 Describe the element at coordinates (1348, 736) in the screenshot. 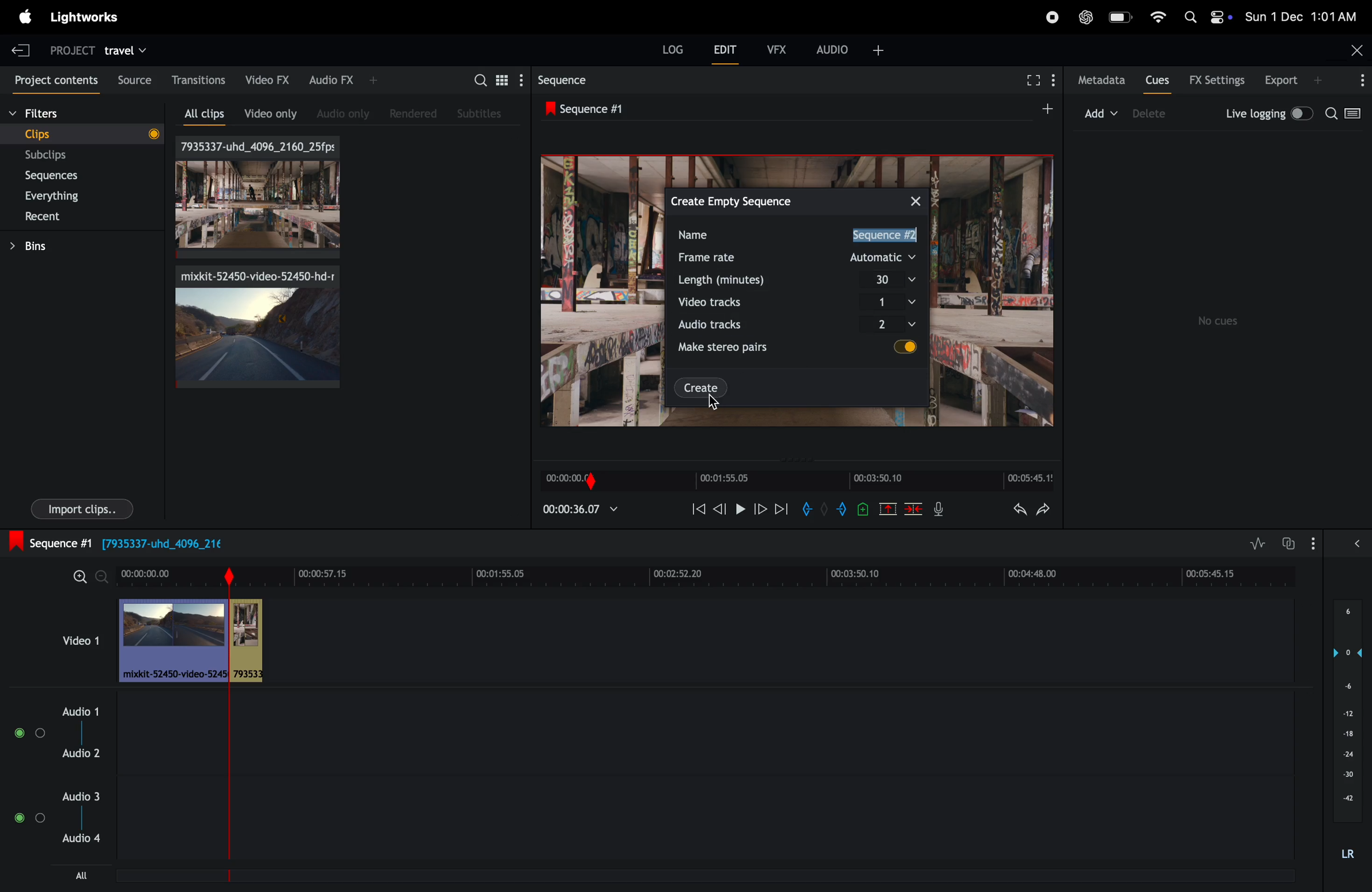

I see `audio pitch` at that location.